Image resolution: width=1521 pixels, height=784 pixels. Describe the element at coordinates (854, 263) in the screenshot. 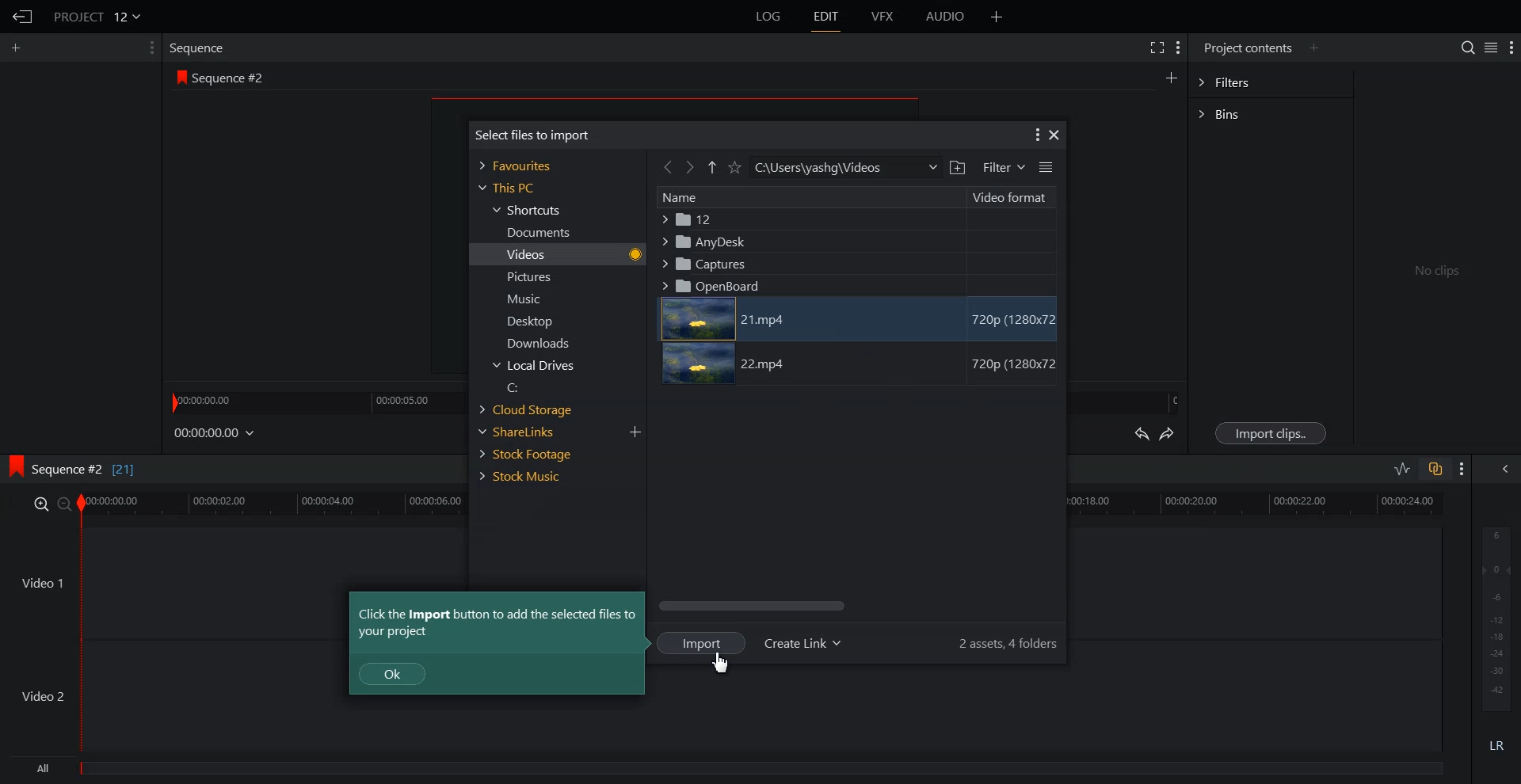

I see `Capture` at that location.